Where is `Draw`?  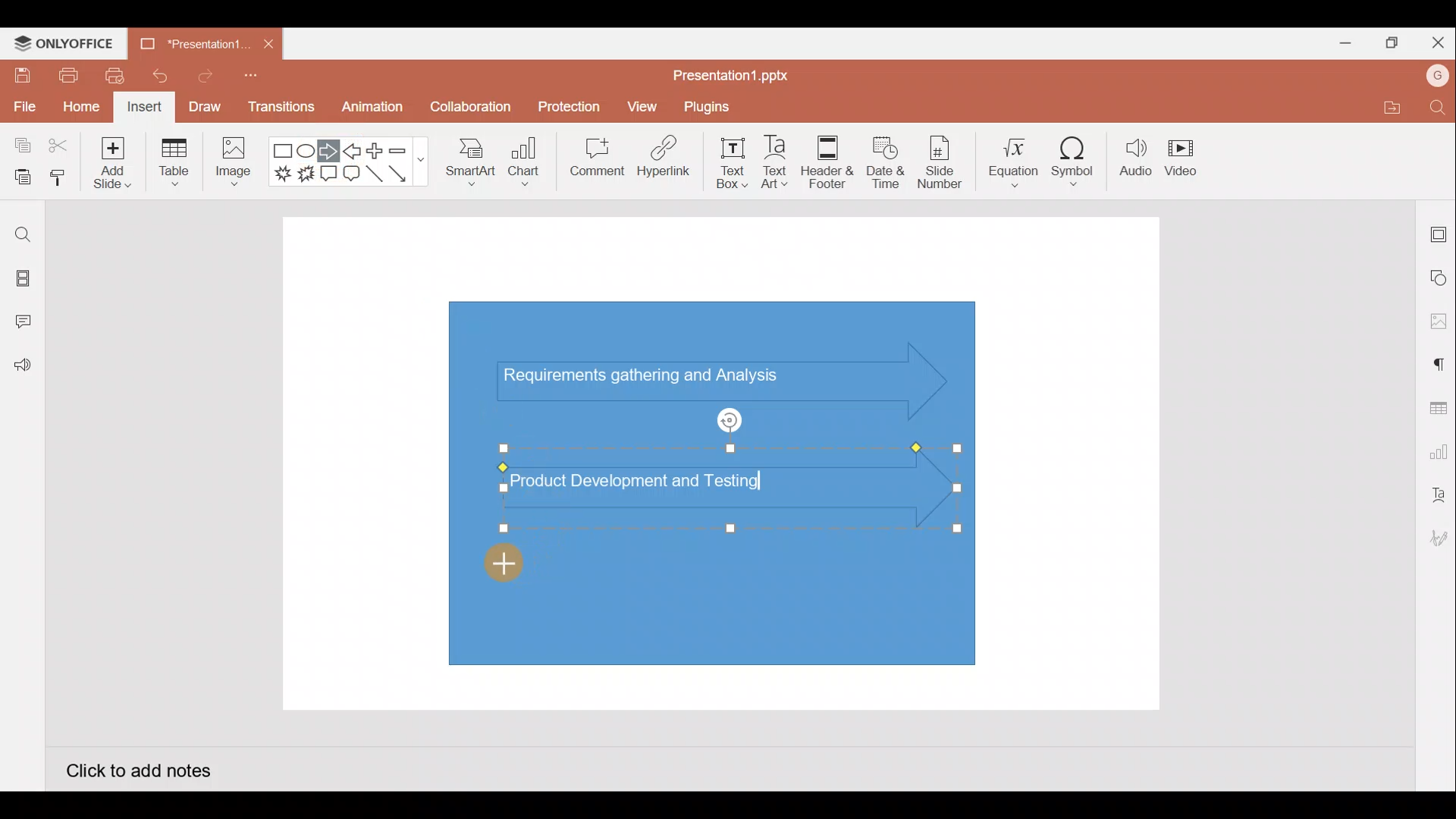
Draw is located at coordinates (204, 106).